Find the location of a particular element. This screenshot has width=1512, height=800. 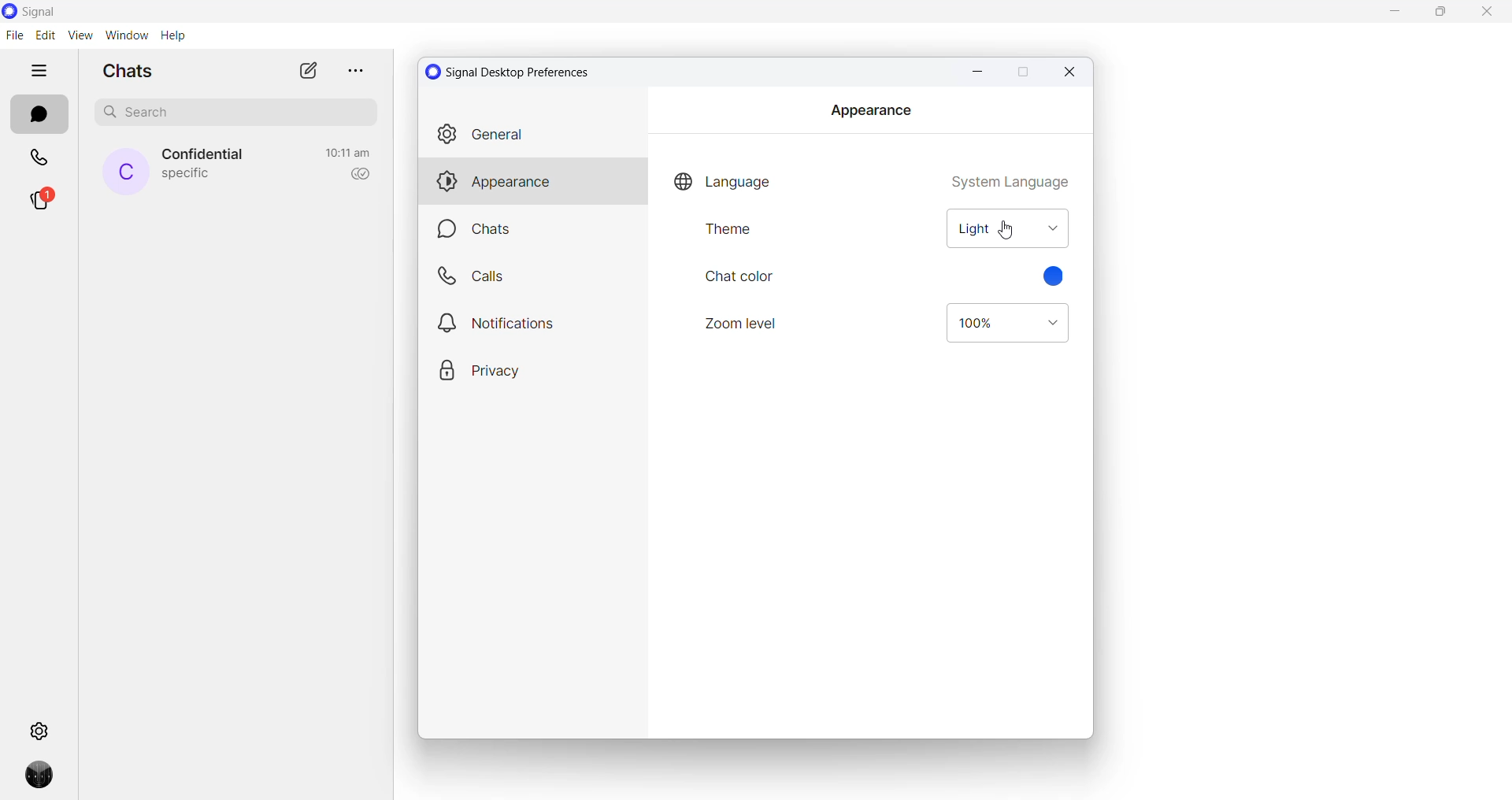

 is located at coordinates (532, 322).